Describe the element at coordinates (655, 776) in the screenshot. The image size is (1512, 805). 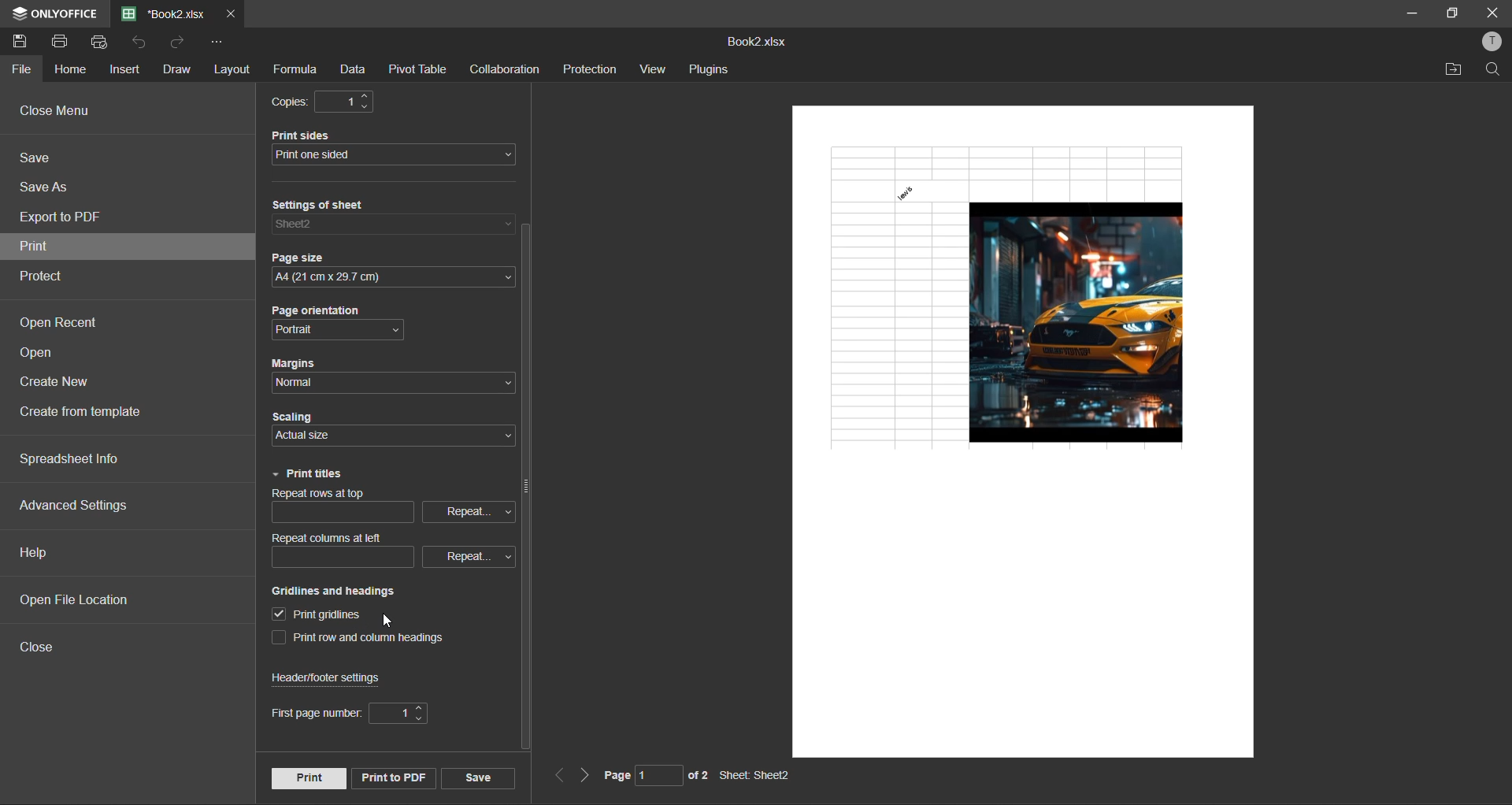
I see `page number` at that location.